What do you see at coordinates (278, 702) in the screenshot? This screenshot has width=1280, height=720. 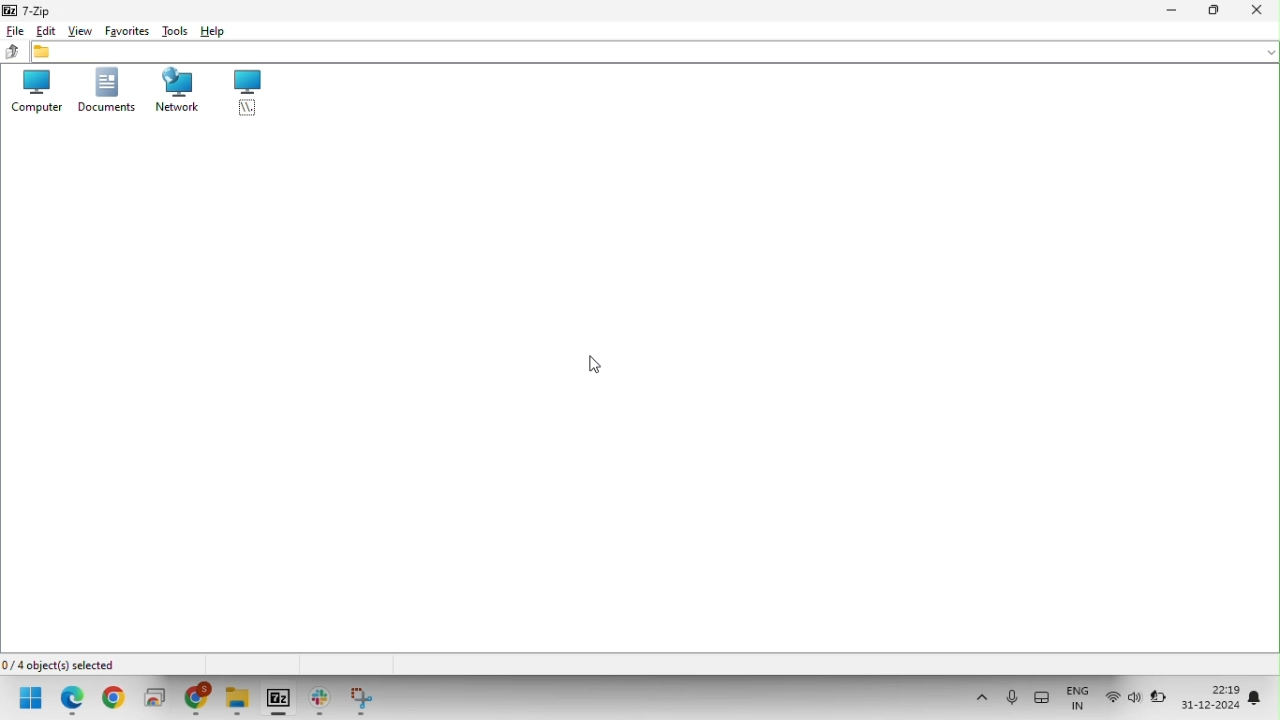 I see `7-zip` at bounding box center [278, 702].